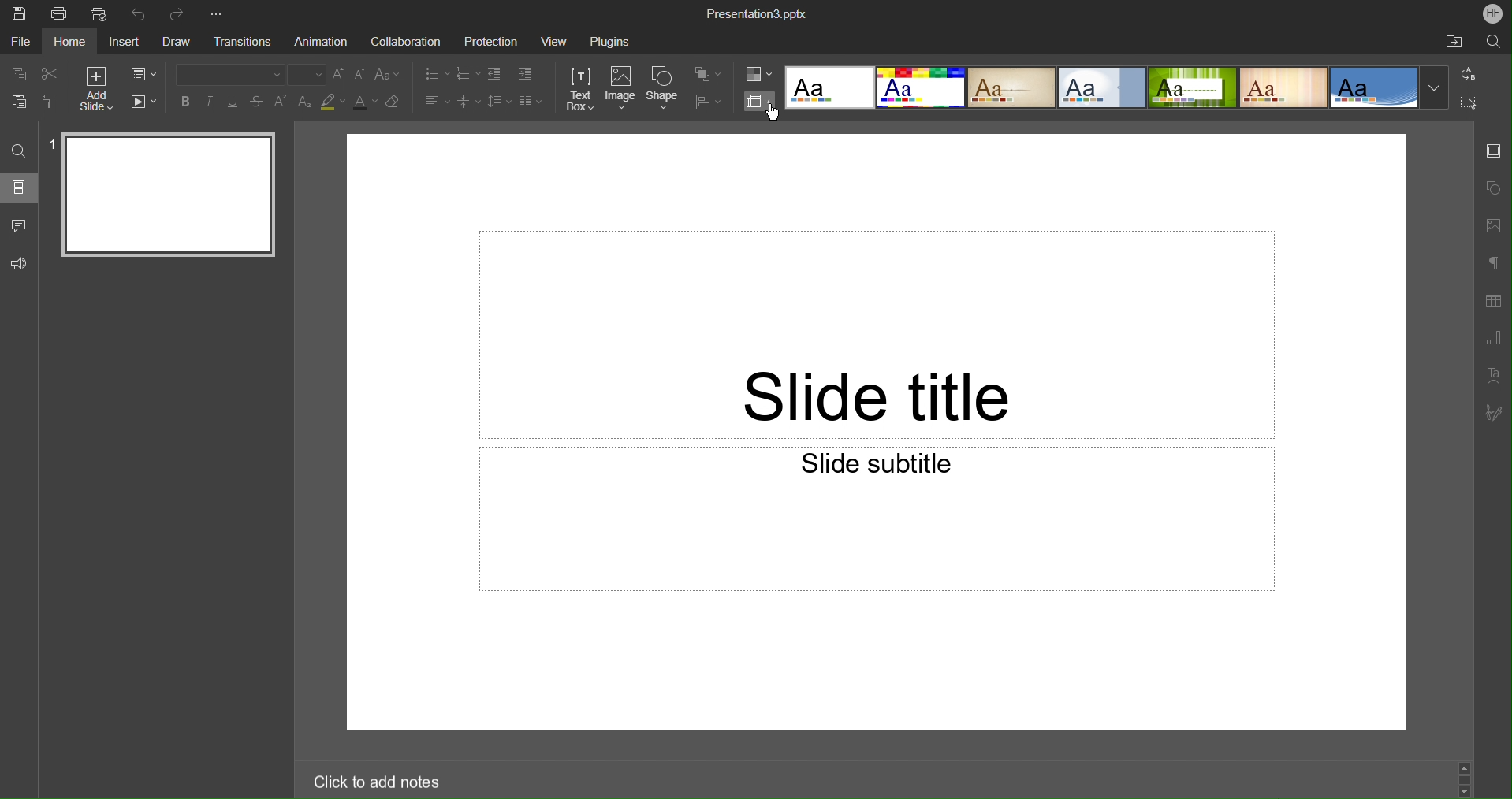 This screenshot has height=799, width=1512. Describe the element at coordinates (71, 43) in the screenshot. I see `Home` at that location.